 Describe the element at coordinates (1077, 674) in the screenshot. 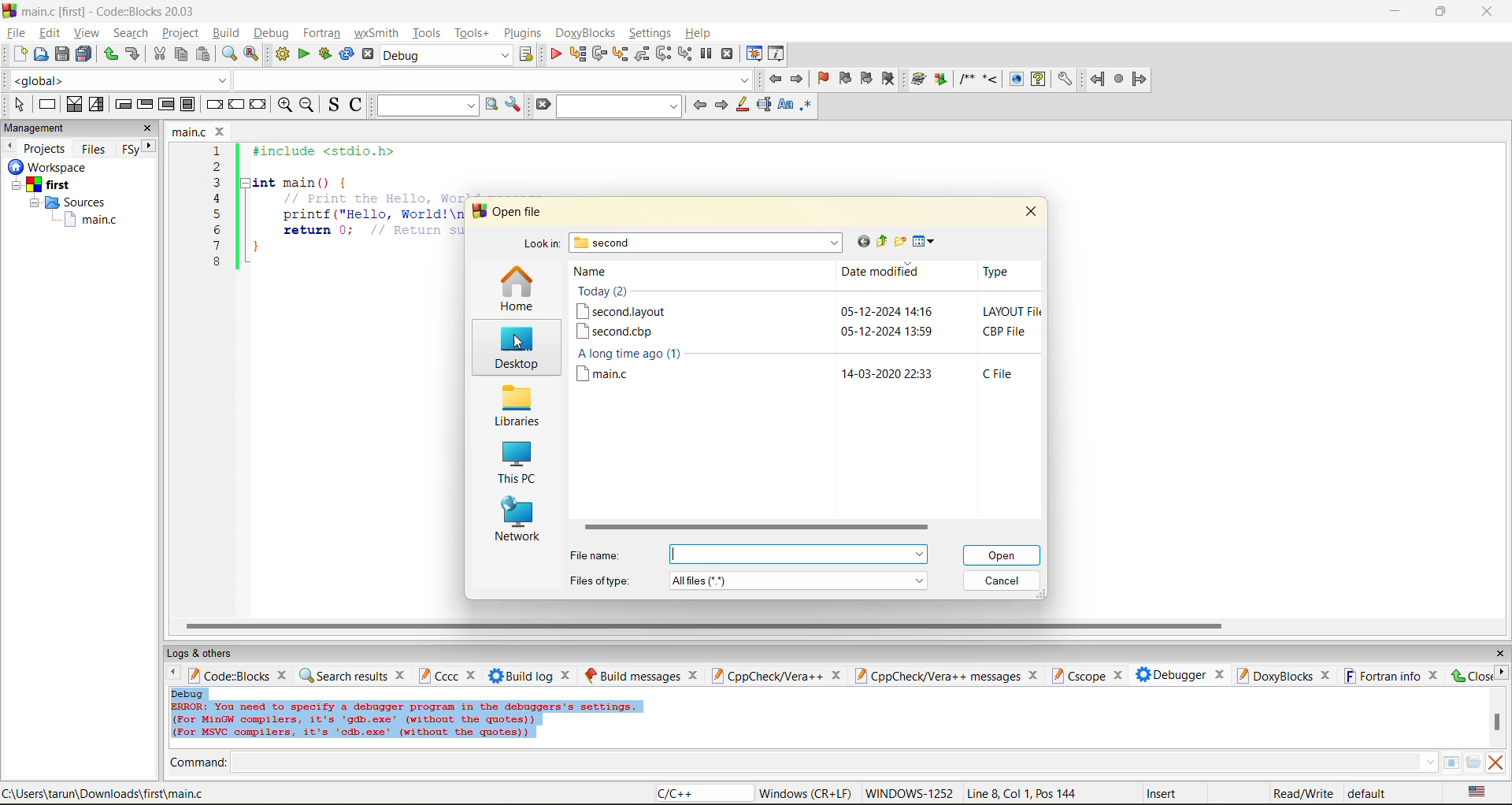

I see `cscope` at that location.